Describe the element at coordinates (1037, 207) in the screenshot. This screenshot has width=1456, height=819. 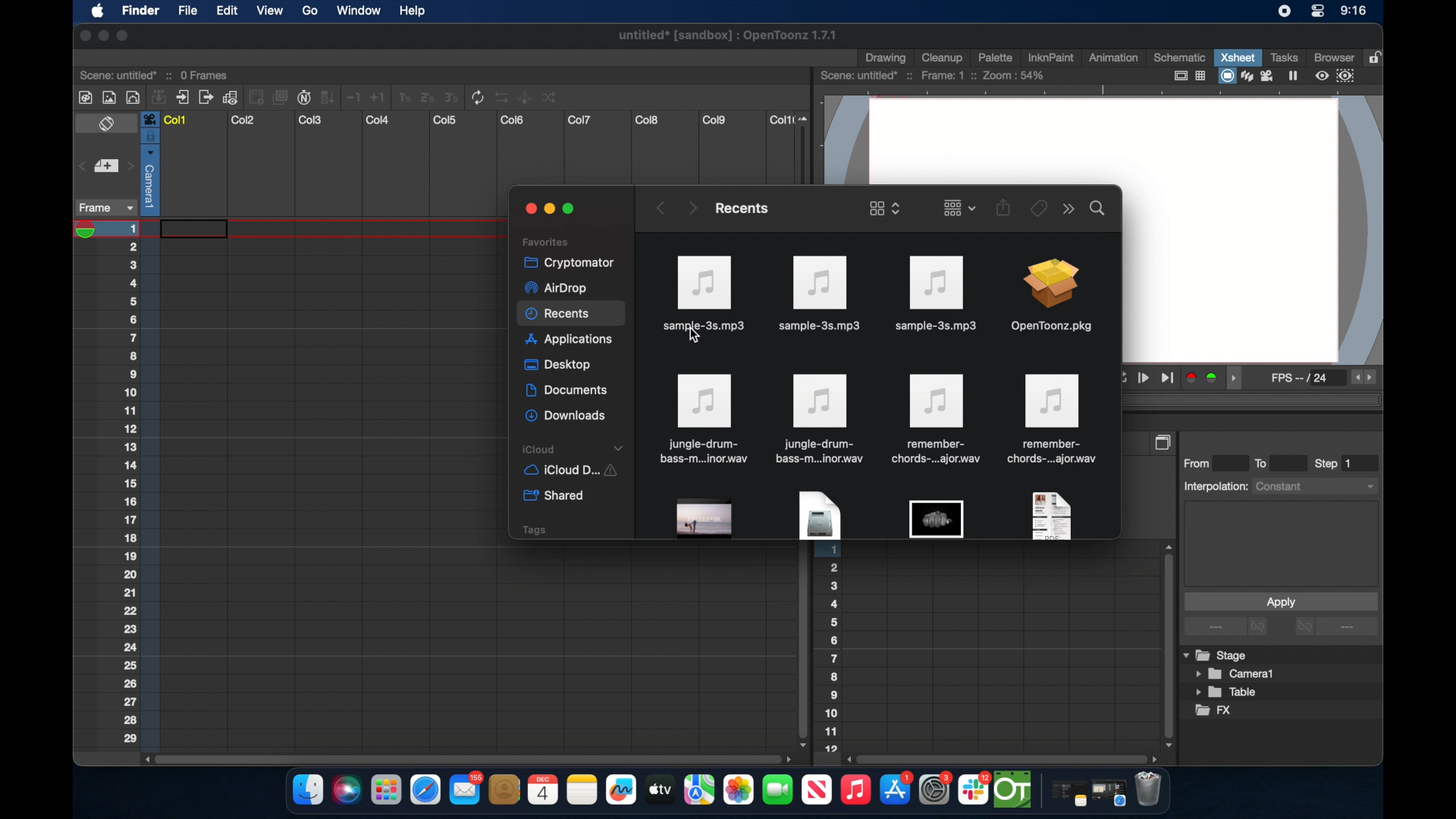
I see `tags` at that location.